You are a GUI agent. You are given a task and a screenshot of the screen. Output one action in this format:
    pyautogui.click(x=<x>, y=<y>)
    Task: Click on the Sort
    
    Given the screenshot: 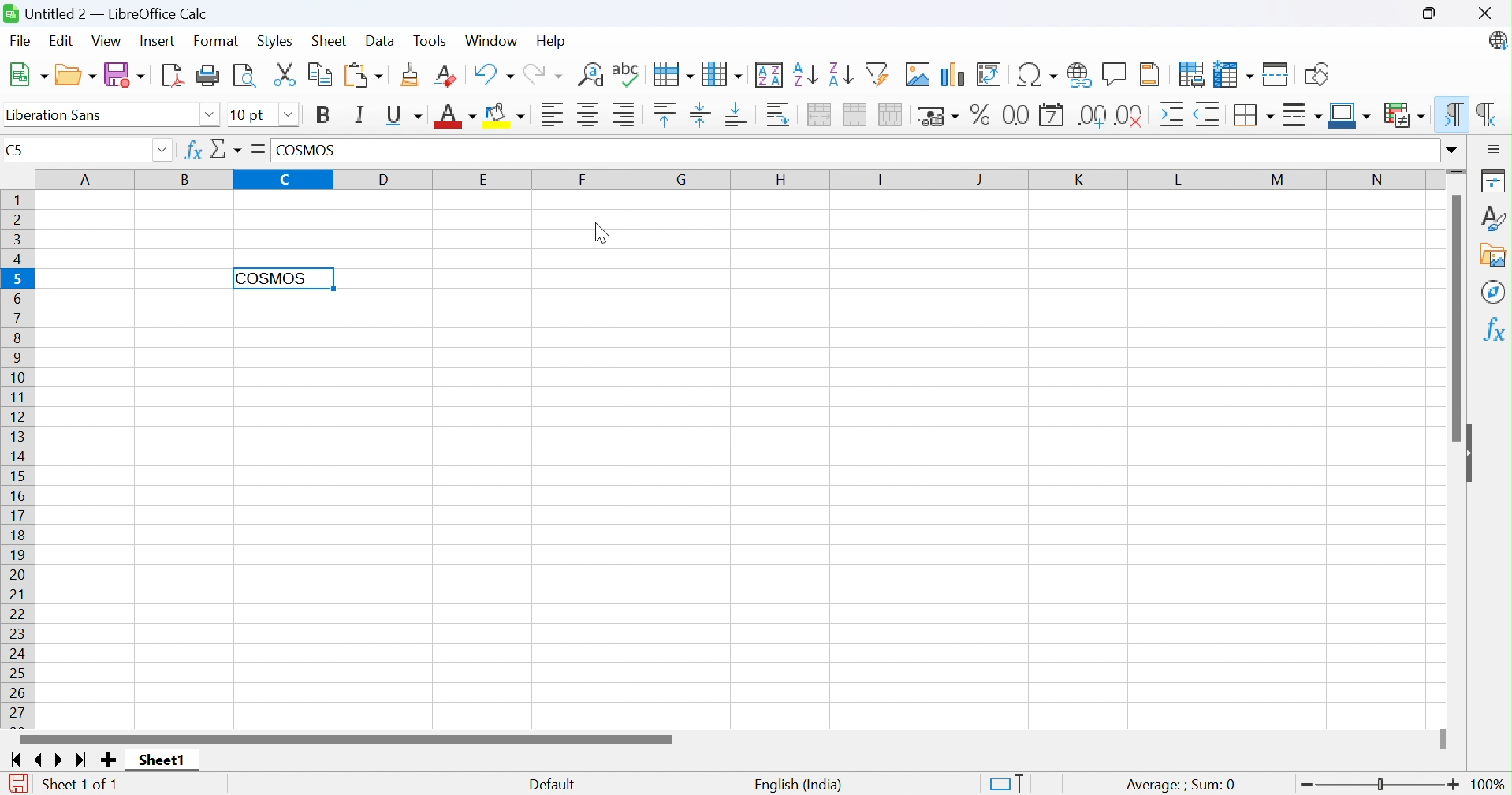 What is the action you would take?
    pyautogui.click(x=770, y=74)
    